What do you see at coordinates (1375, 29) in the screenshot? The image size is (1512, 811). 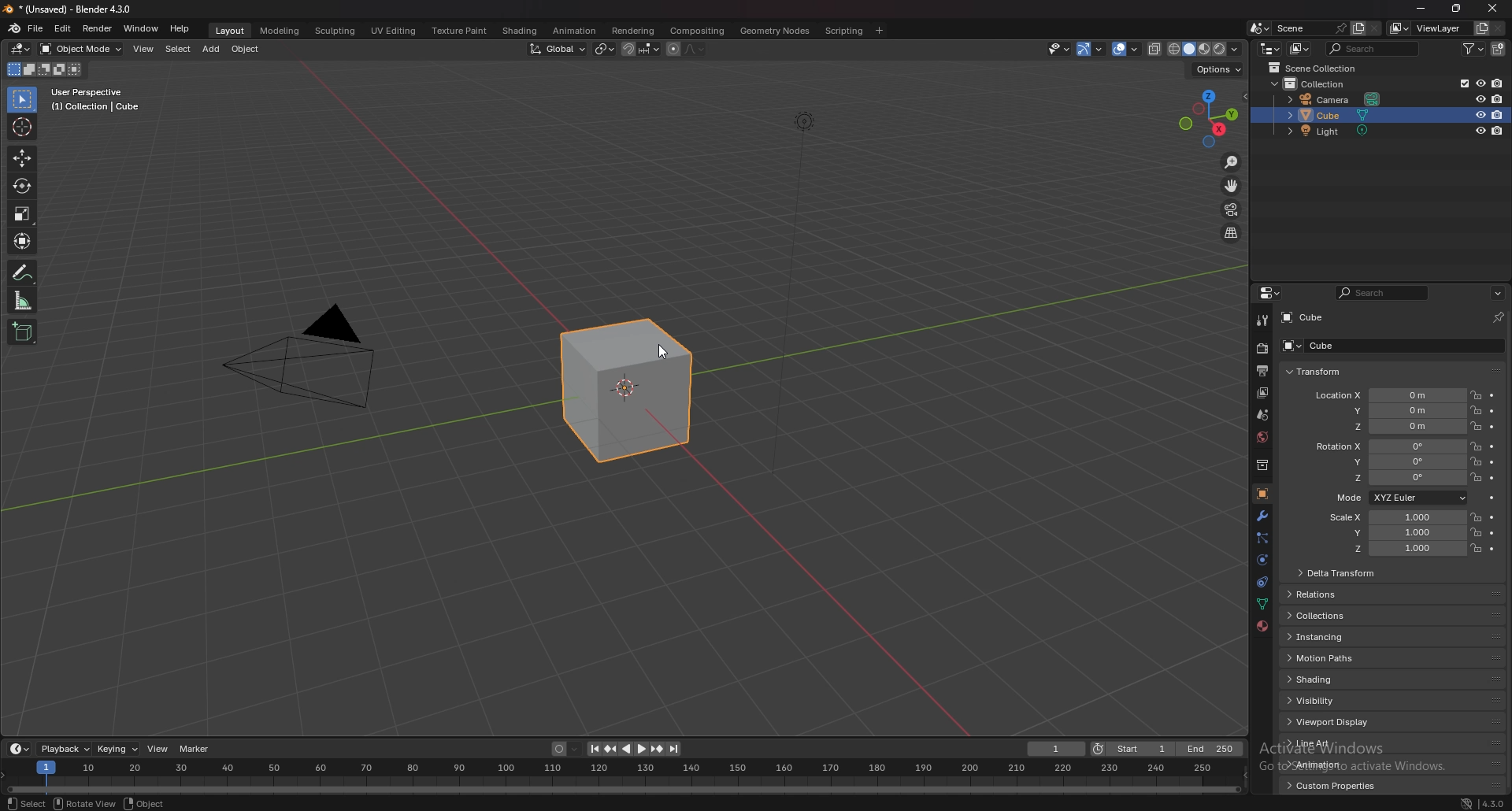 I see `delete scene` at bounding box center [1375, 29].